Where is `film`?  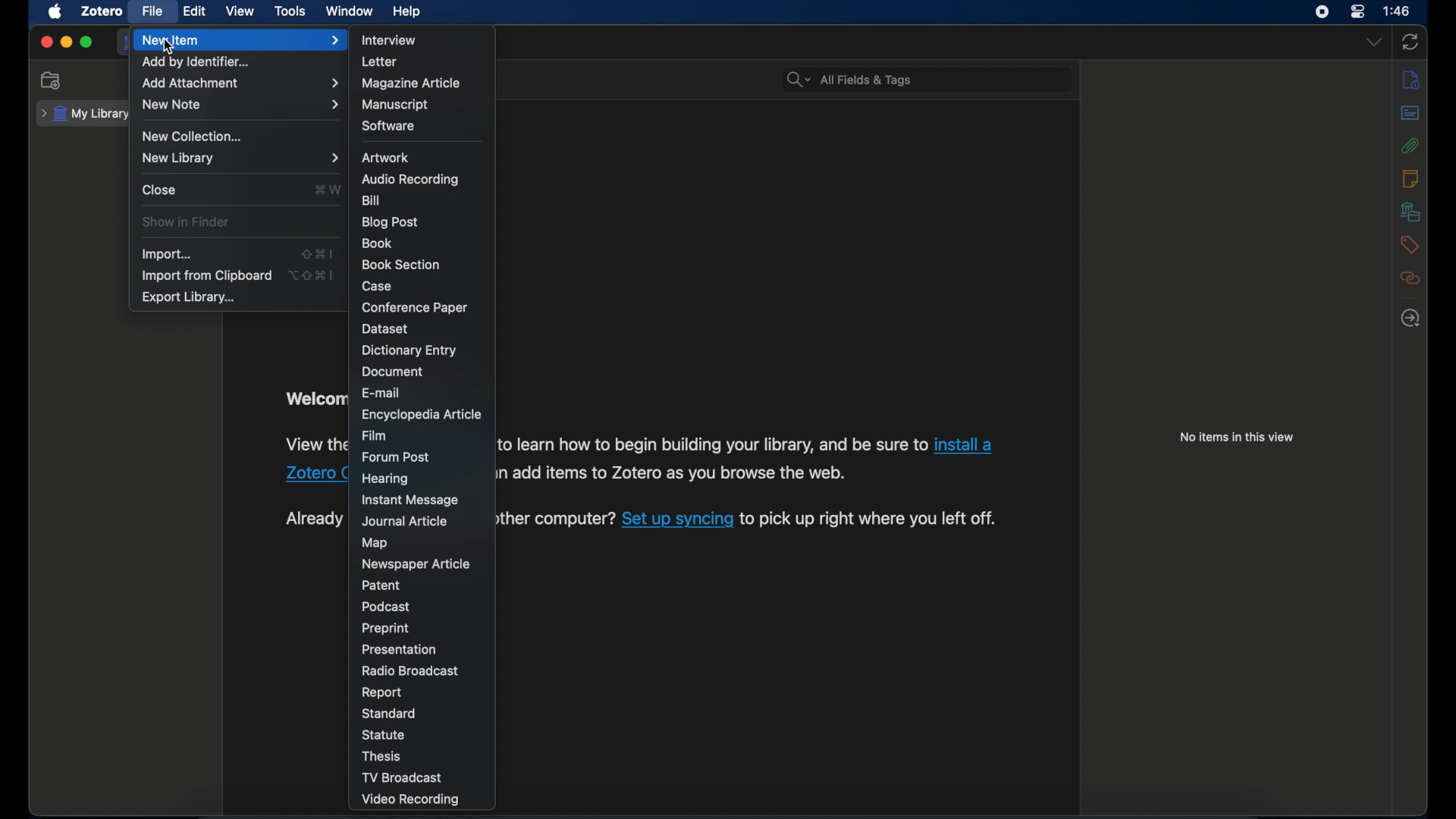 film is located at coordinates (375, 436).